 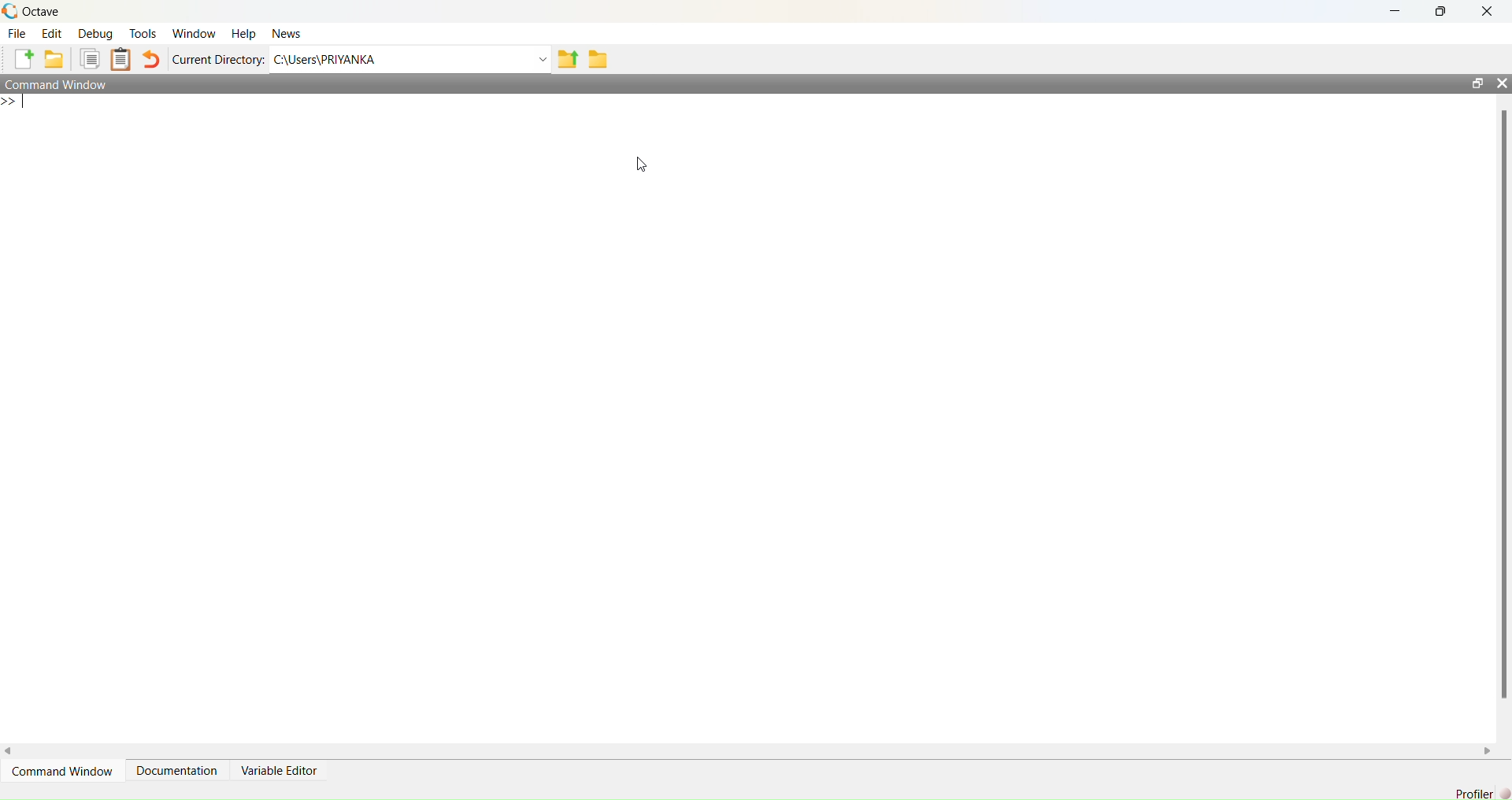 I want to click on window, so click(x=194, y=35).